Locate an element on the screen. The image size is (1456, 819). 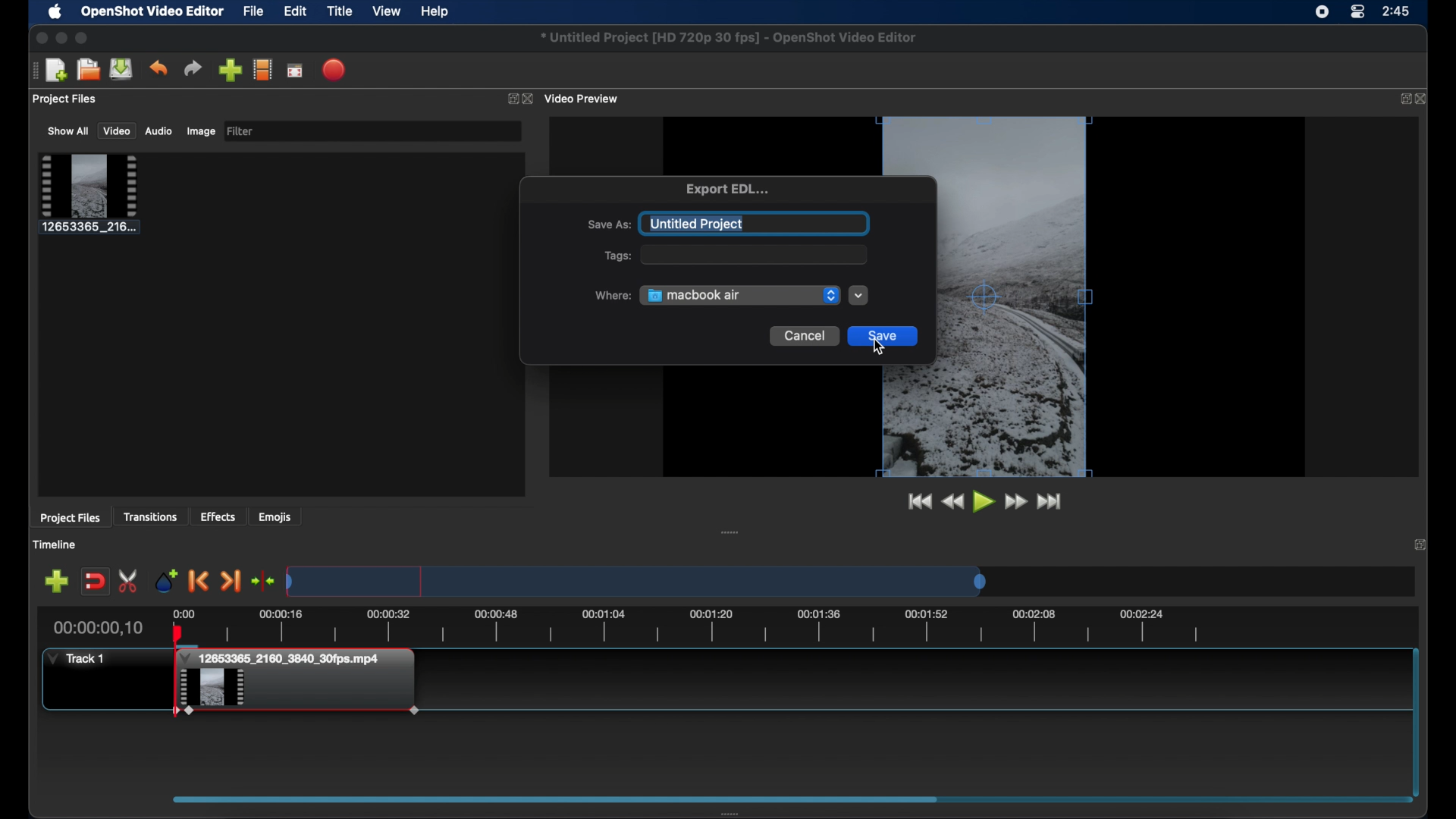
project files is located at coordinates (71, 519).